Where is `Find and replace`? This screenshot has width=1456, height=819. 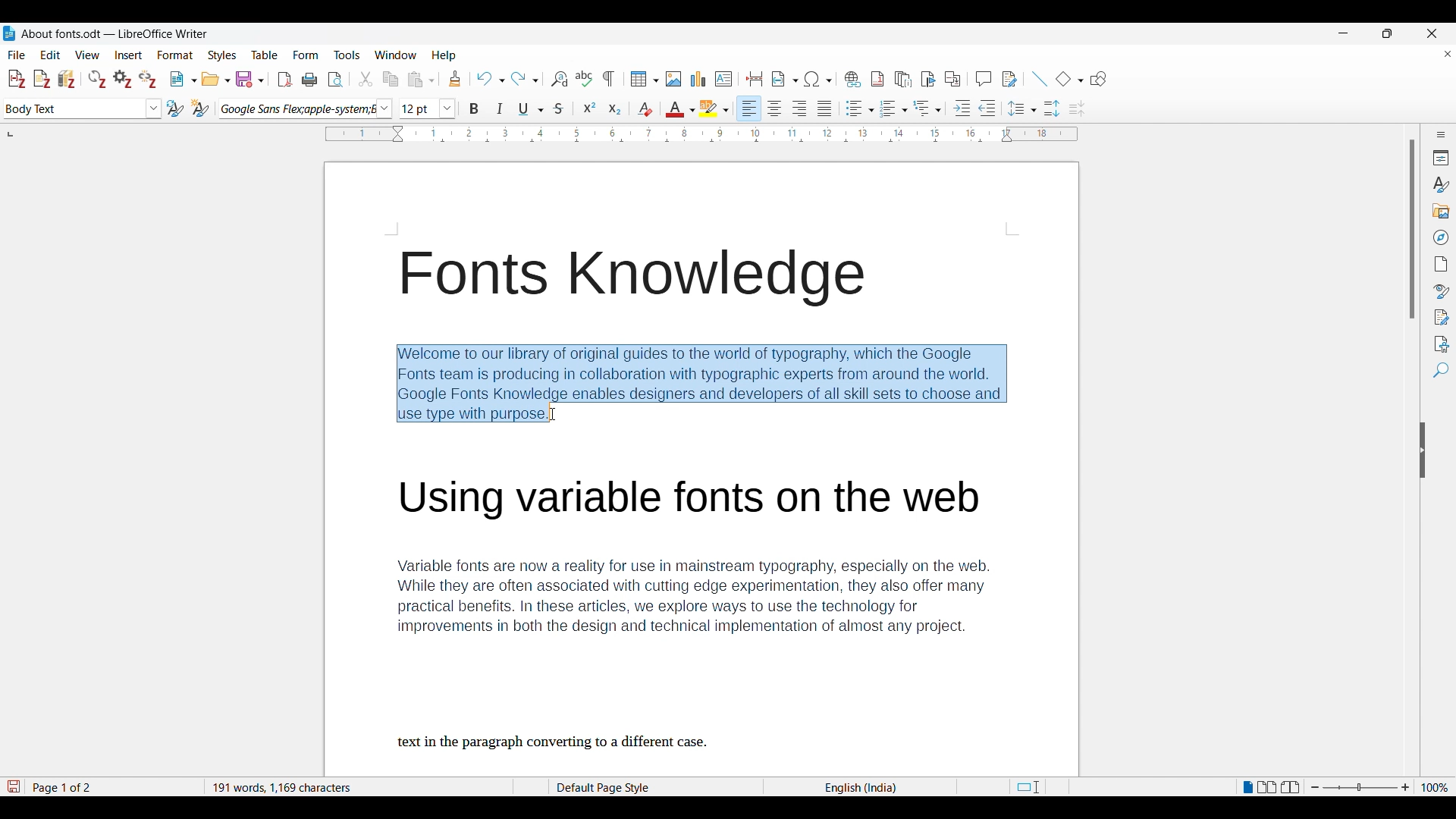
Find and replace is located at coordinates (559, 79).